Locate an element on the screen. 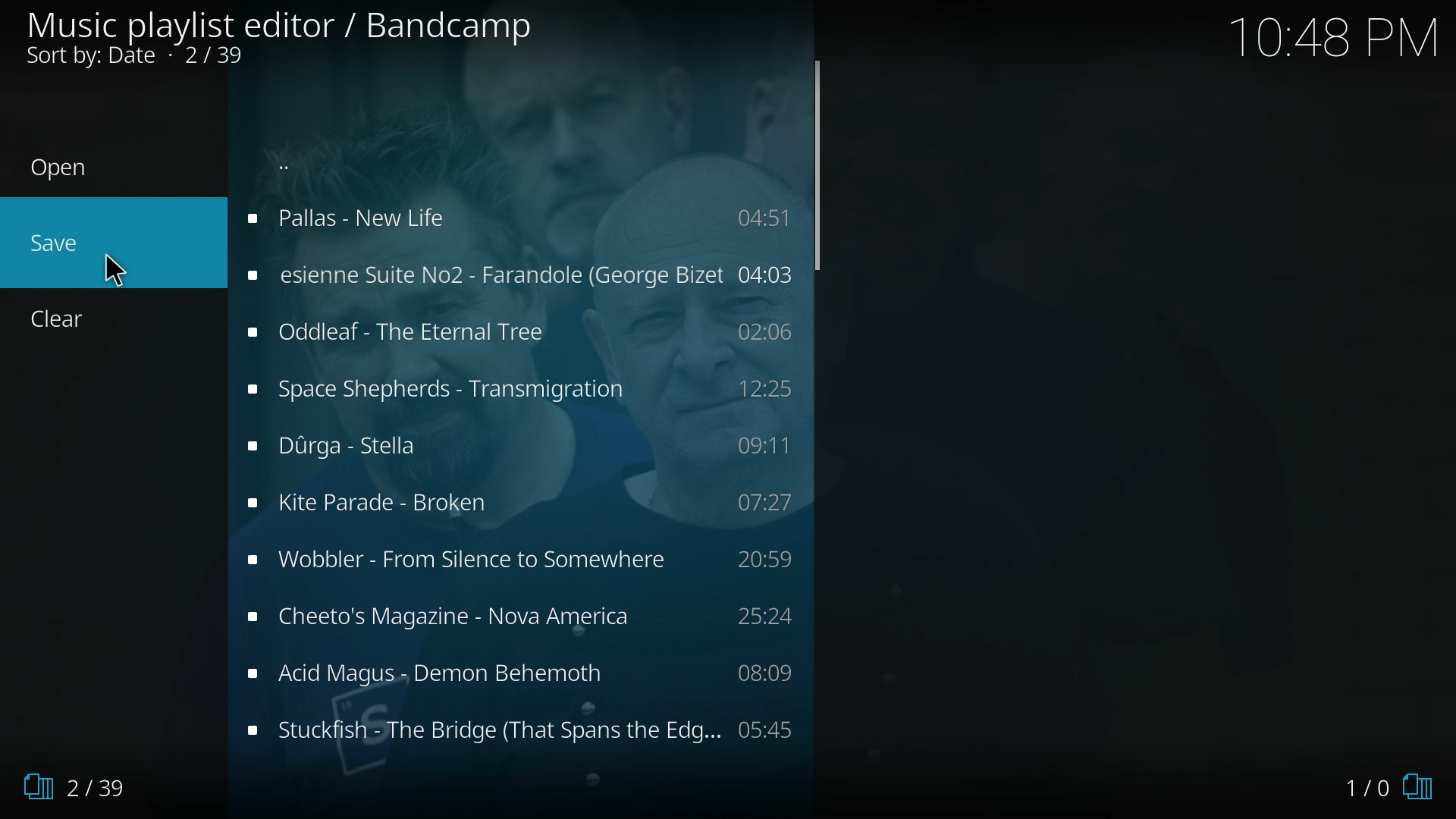  song is located at coordinates (523, 446).